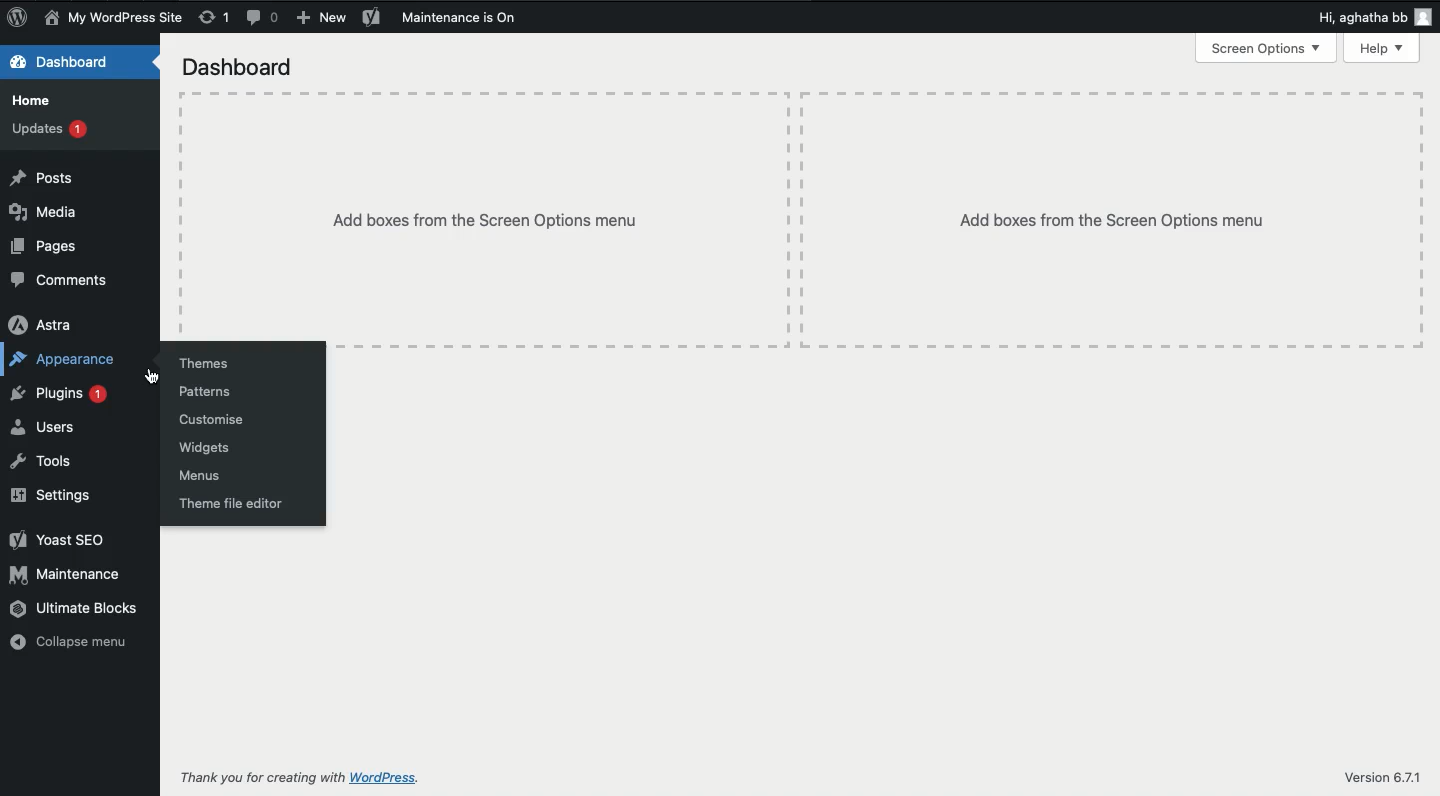  Describe the element at coordinates (58, 280) in the screenshot. I see `Comments` at that location.